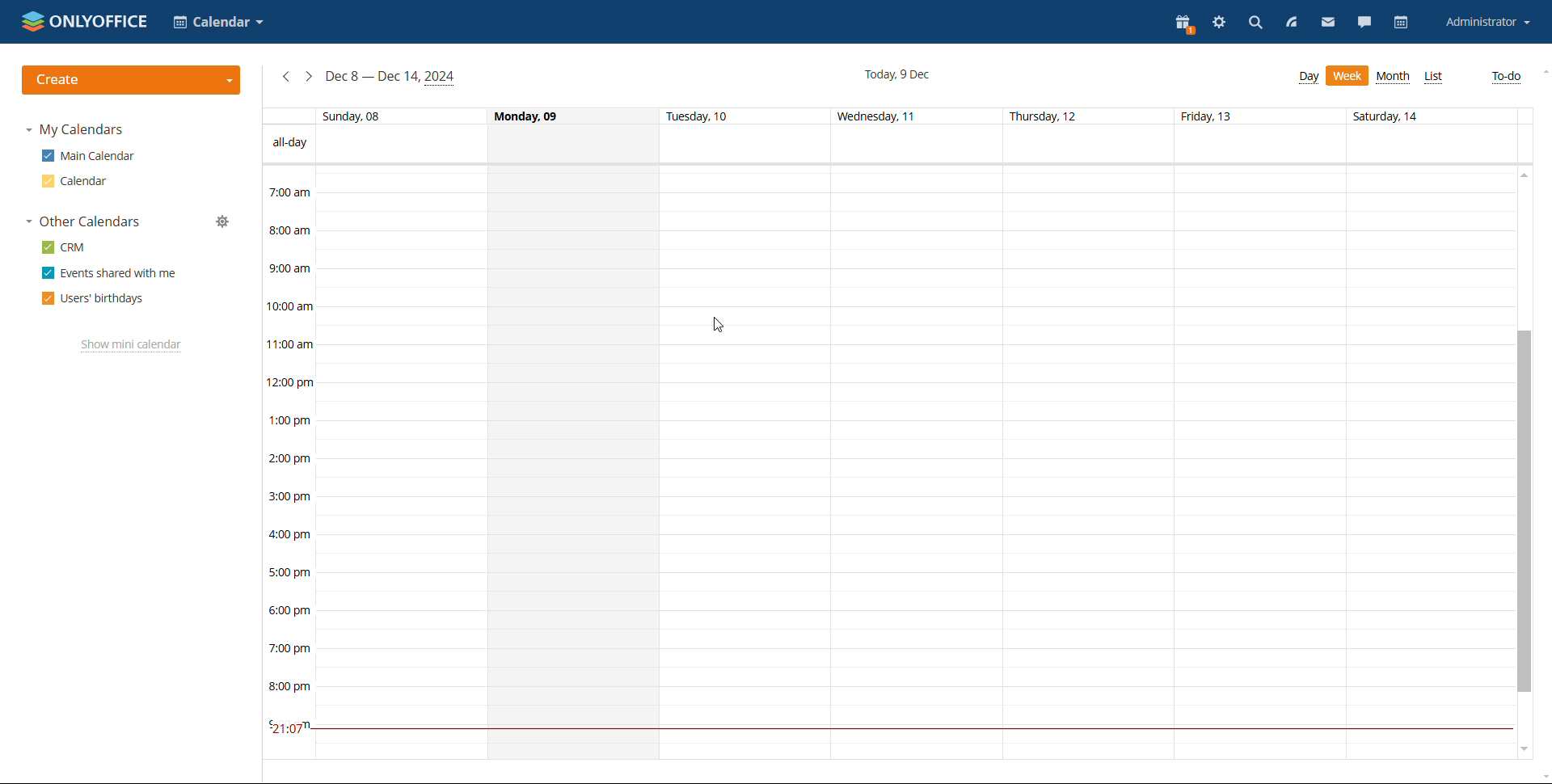 Image resolution: width=1552 pixels, height=784 pixels. What do you see at coordinates (717, 326) in the screenshot?
I see `cursor` at bounding box center [717, 326].